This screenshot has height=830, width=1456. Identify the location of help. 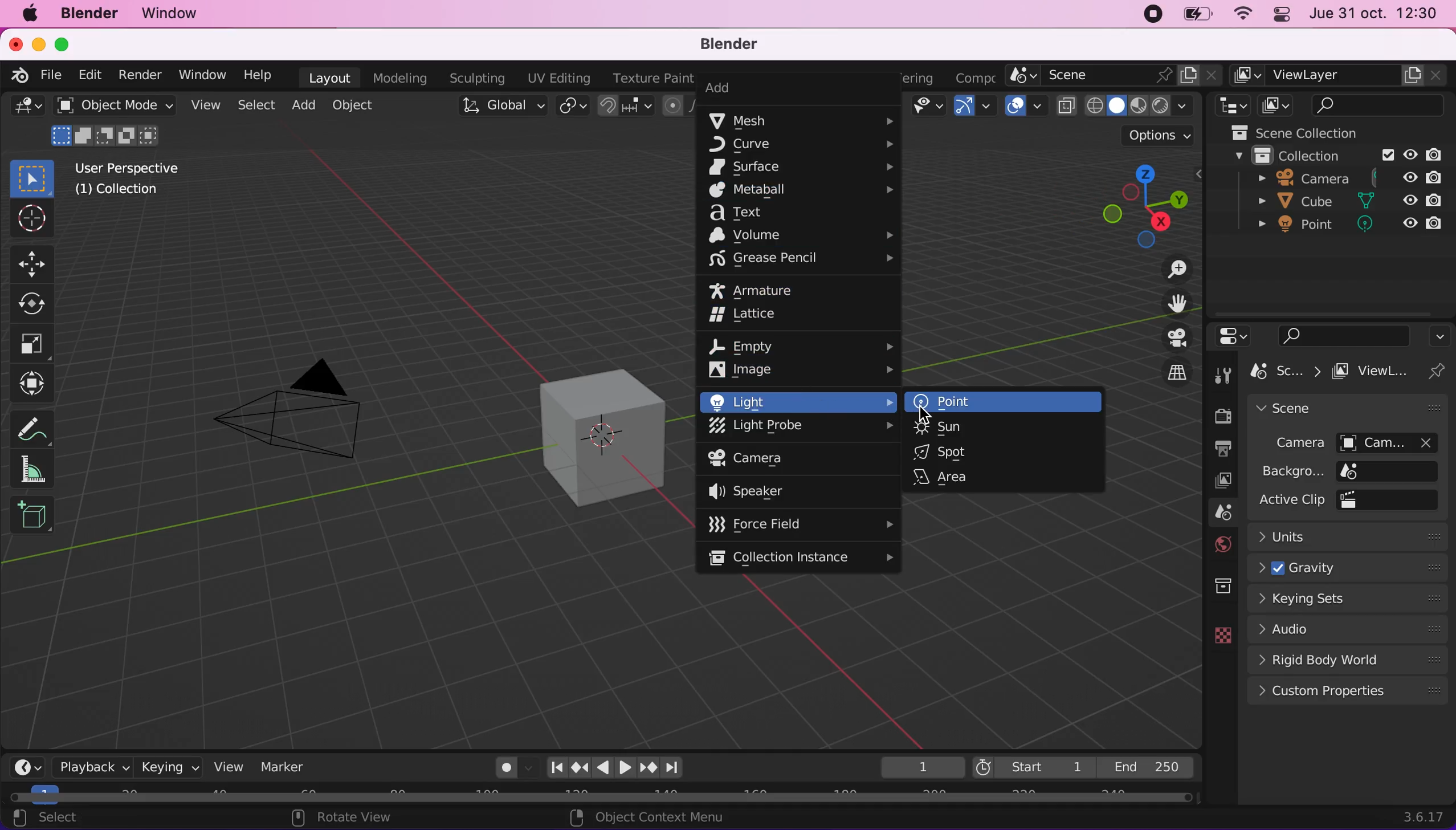
(260, 74).